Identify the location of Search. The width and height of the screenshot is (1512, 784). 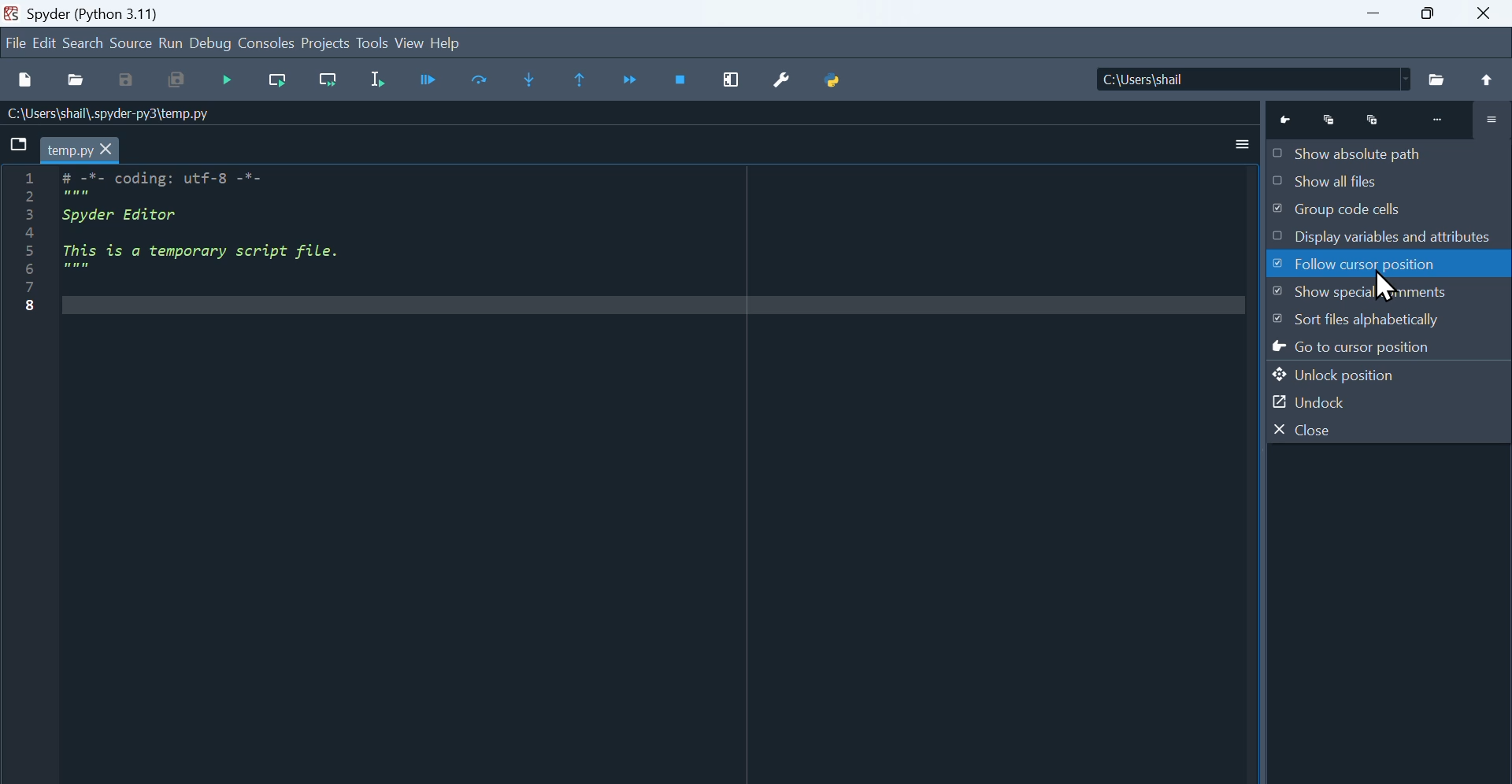
(83, 43).